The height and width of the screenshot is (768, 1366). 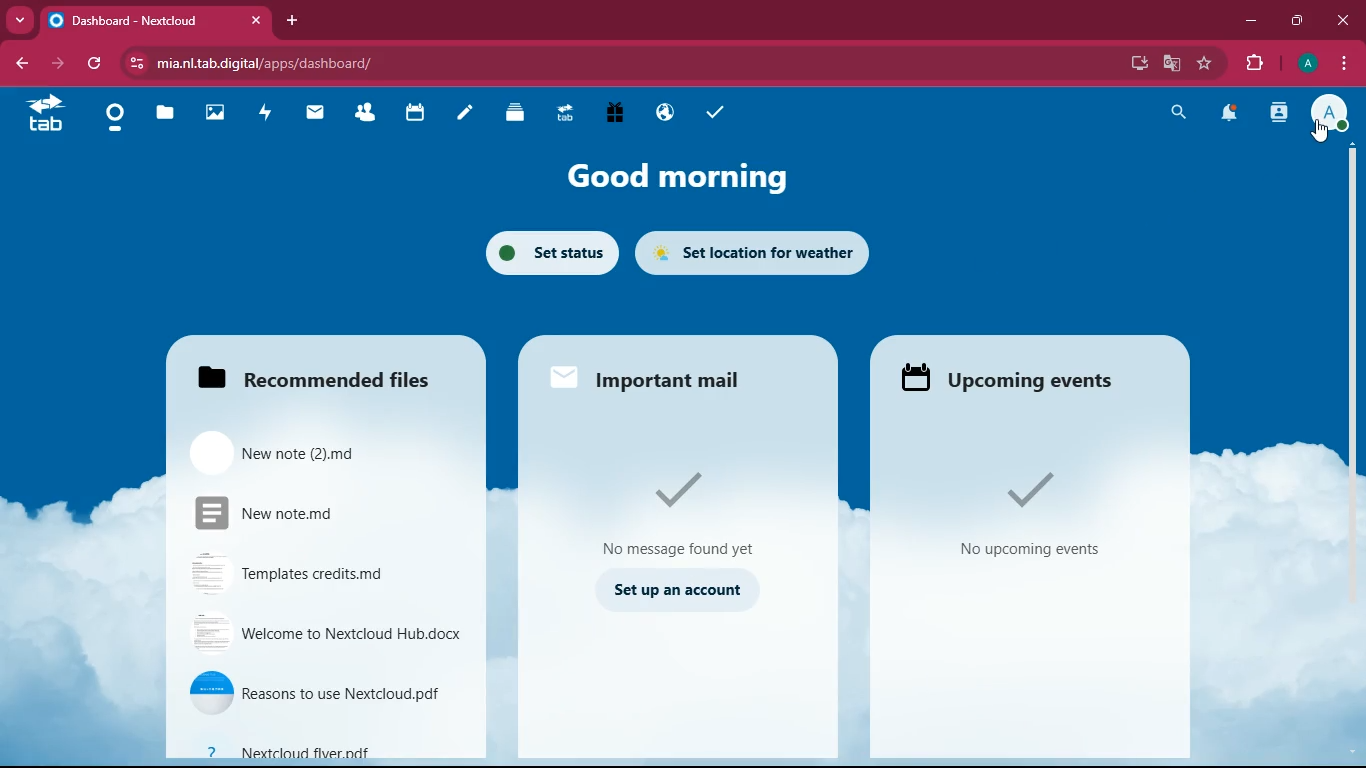 I want to click on good morning, so click(x=665, y=173).